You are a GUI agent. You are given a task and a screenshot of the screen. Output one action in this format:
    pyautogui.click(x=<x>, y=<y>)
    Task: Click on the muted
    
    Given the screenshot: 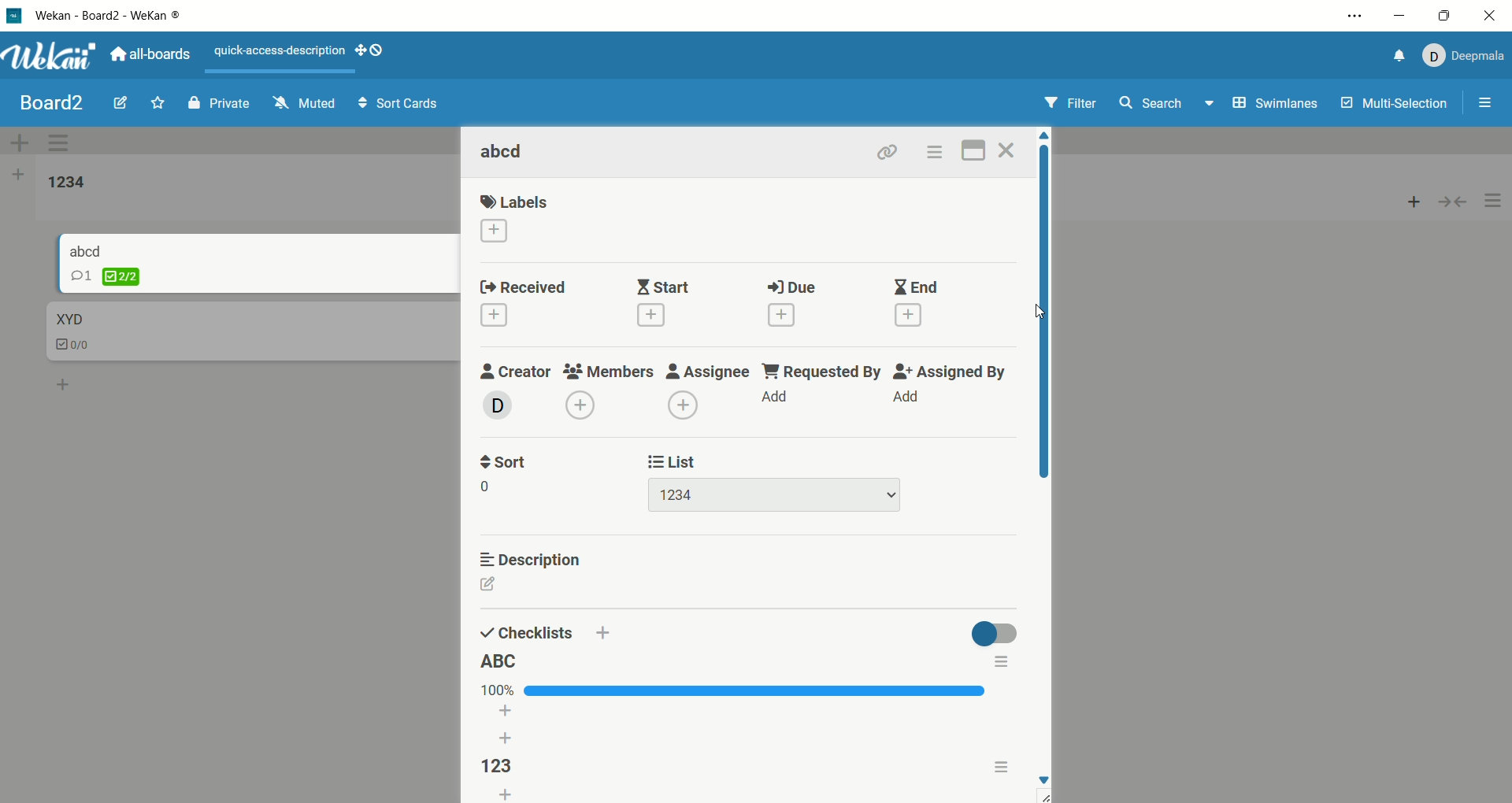 What is the action you would take?
    pyautogui.click(x=305, y=102)
    